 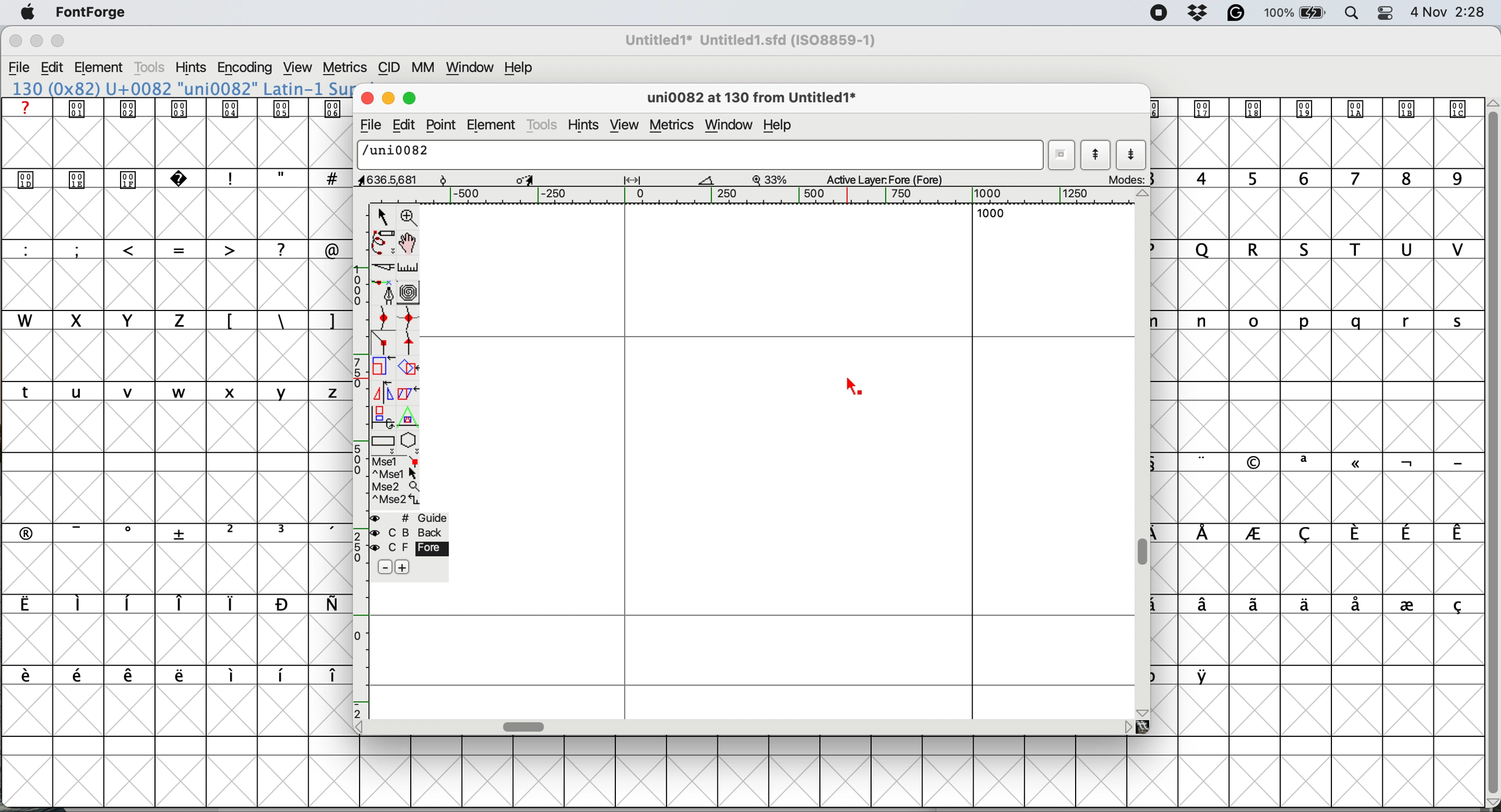 I want to click on encoding, so click(x=246, y=68).